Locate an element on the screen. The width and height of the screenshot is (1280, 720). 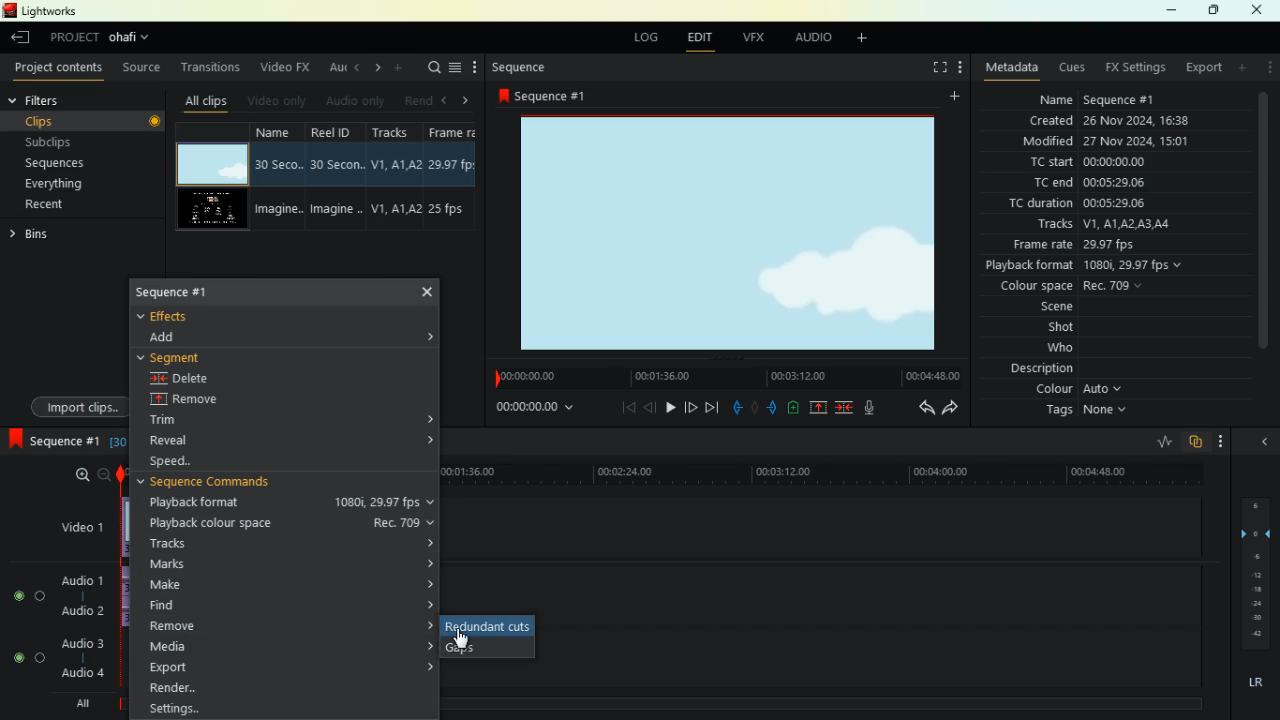
sequence is located at coordinates (215, 483).